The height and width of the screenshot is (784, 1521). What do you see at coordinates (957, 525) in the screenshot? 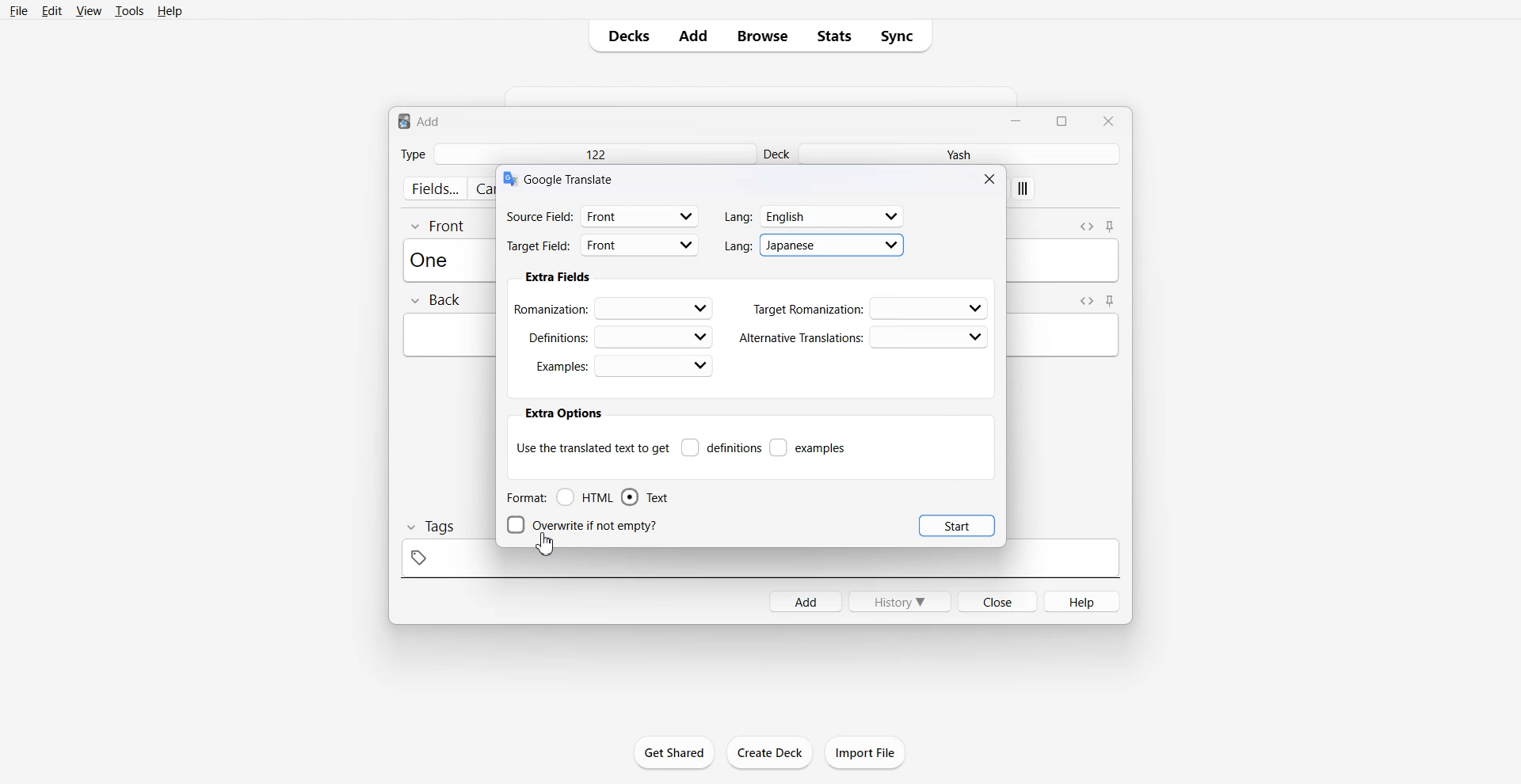
I see `Start` at bounding box center [957, 525].